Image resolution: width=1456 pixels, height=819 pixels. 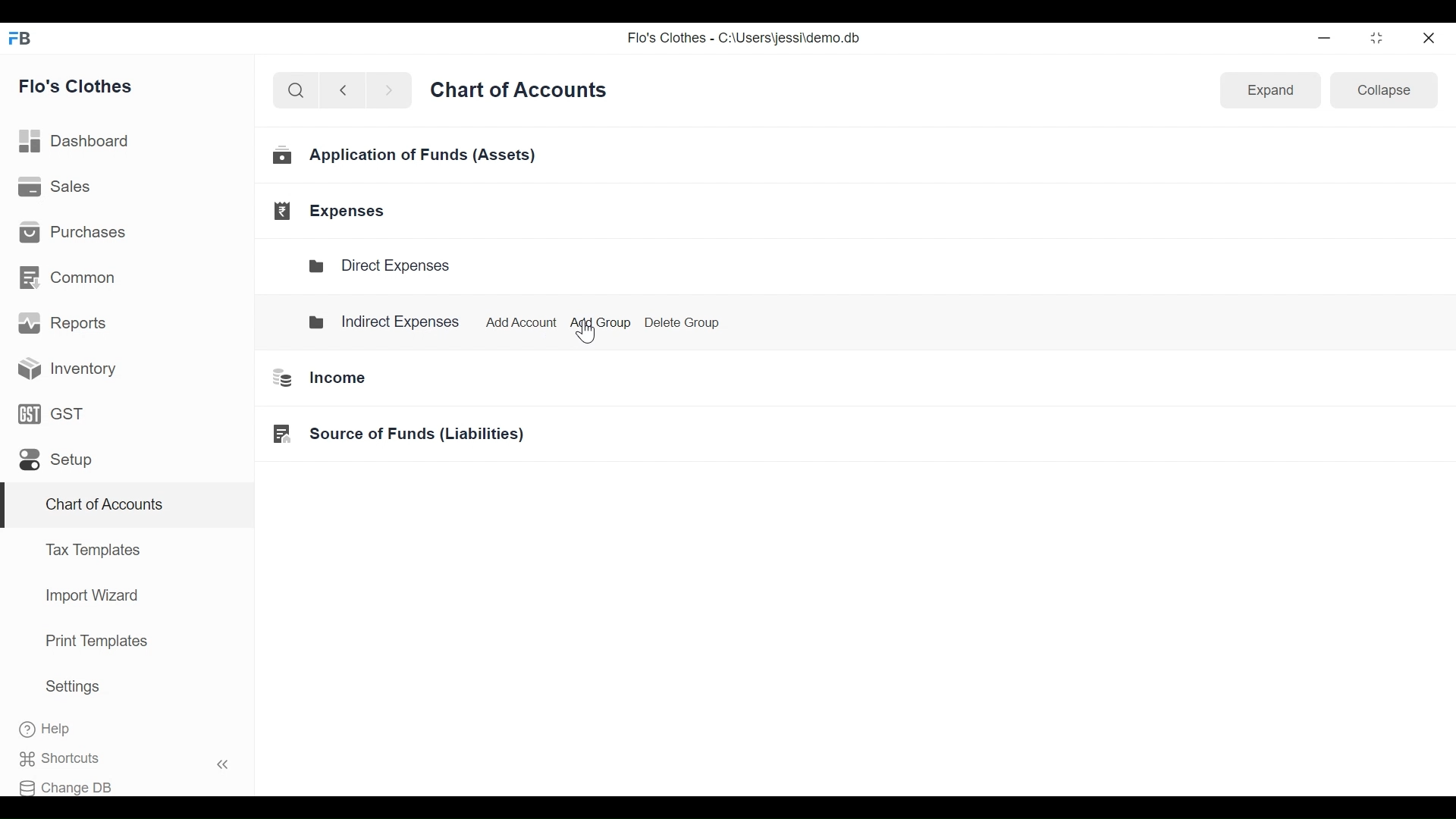 I want to click on next, so click(x=391, y=93).